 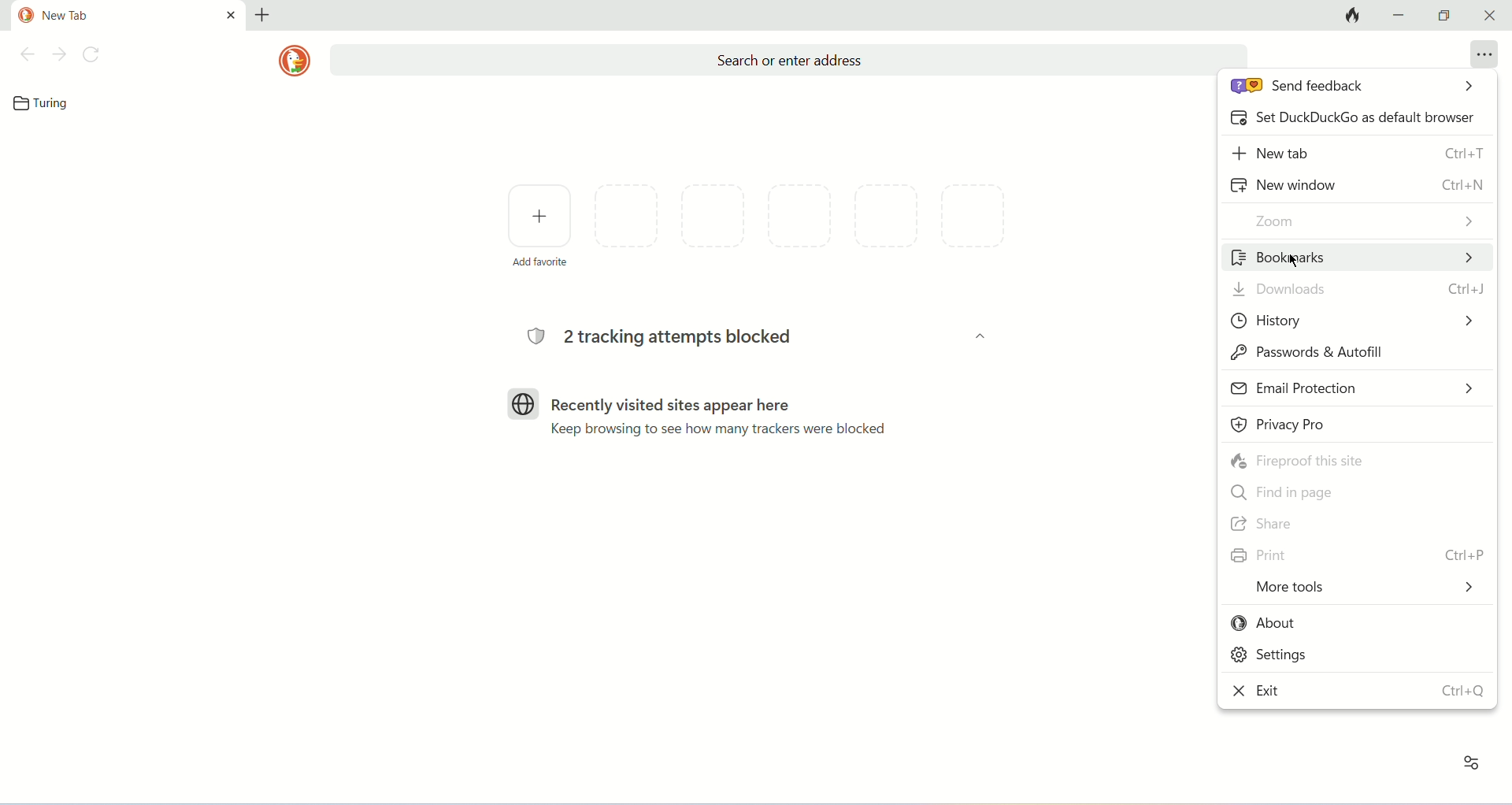 What do you see at coordinates (1473, 764) in the screenshot?
I see `homepage settings` at bounding box center [1473, 764].